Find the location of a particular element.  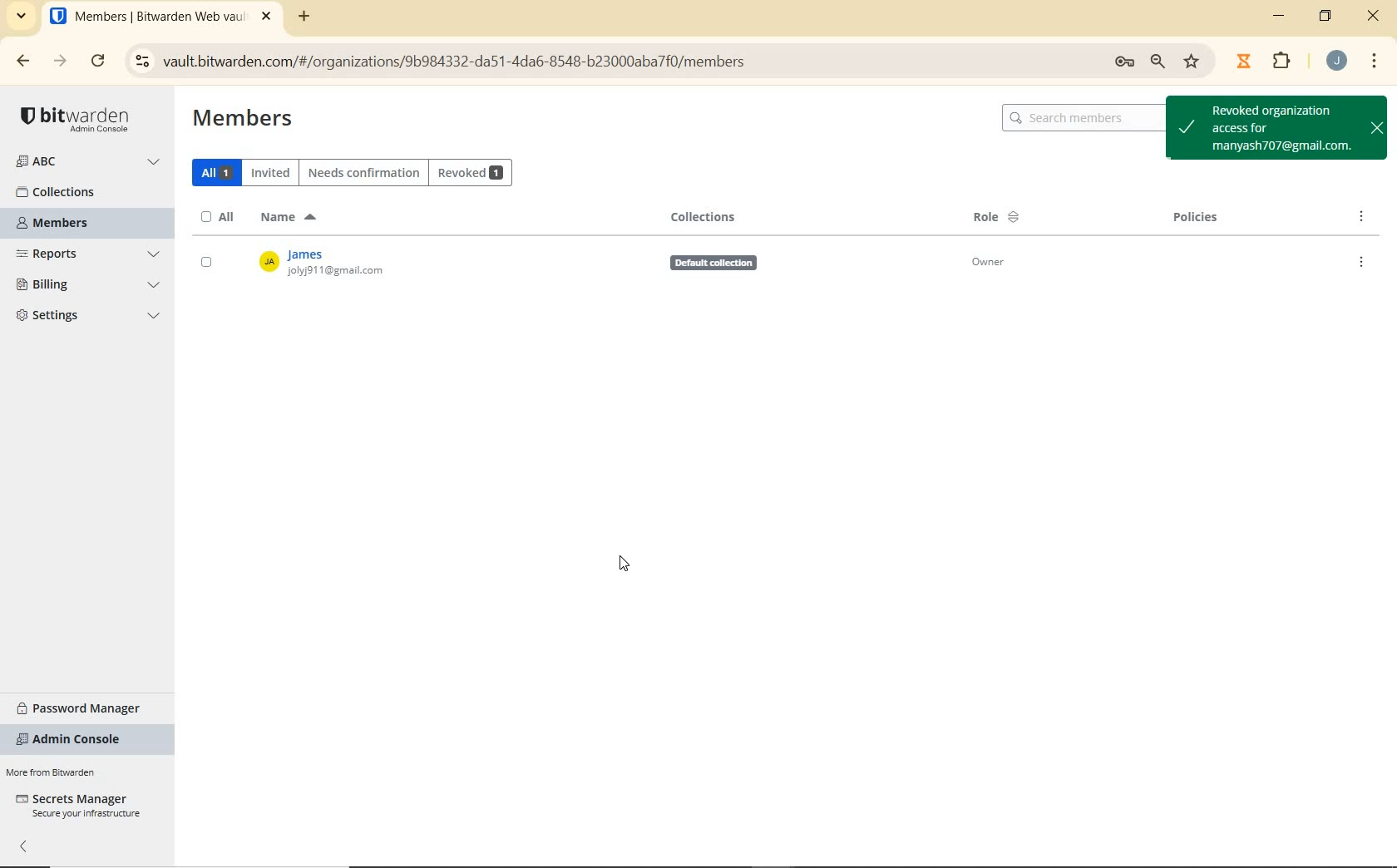

REPORTS is located at coordinates (91, 254).